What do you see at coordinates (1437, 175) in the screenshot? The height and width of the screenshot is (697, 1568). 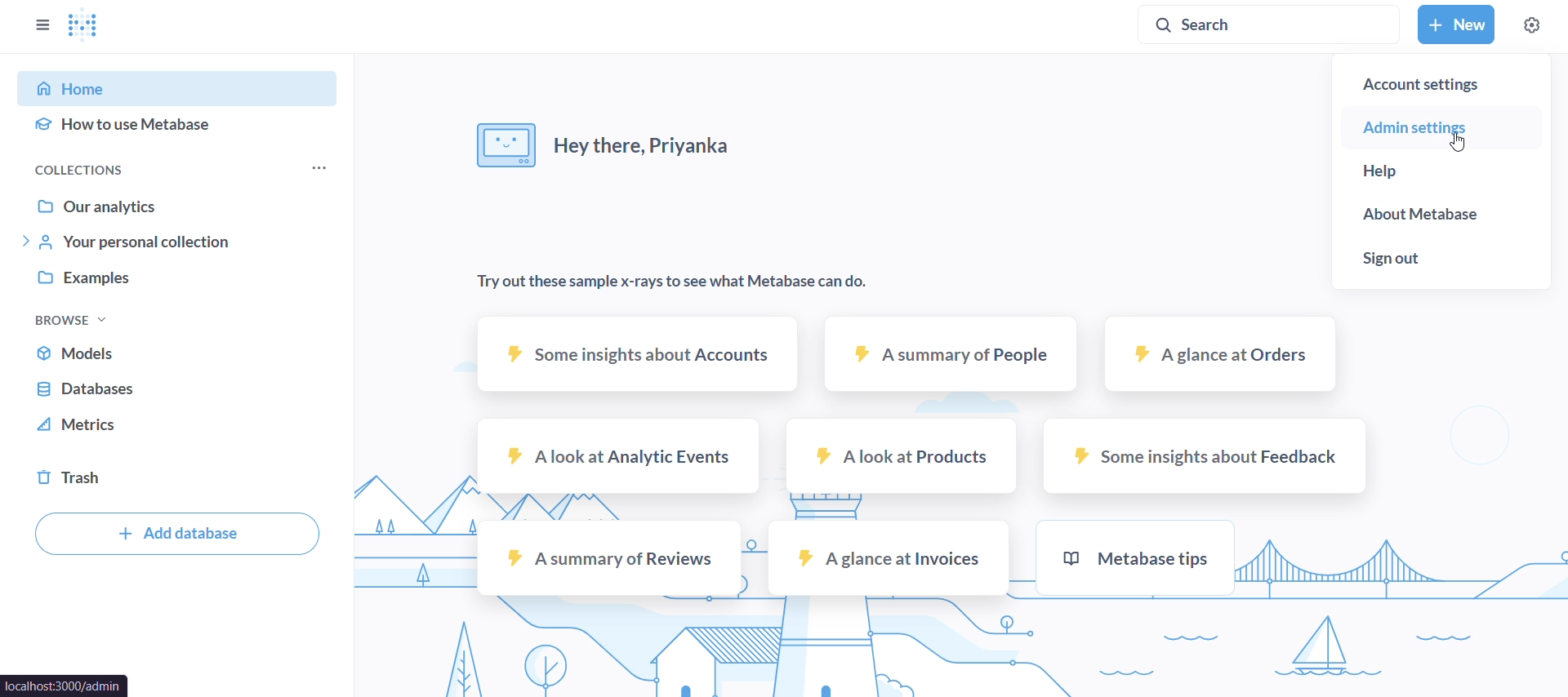 I see `help` at bounding box center [1437, 175].